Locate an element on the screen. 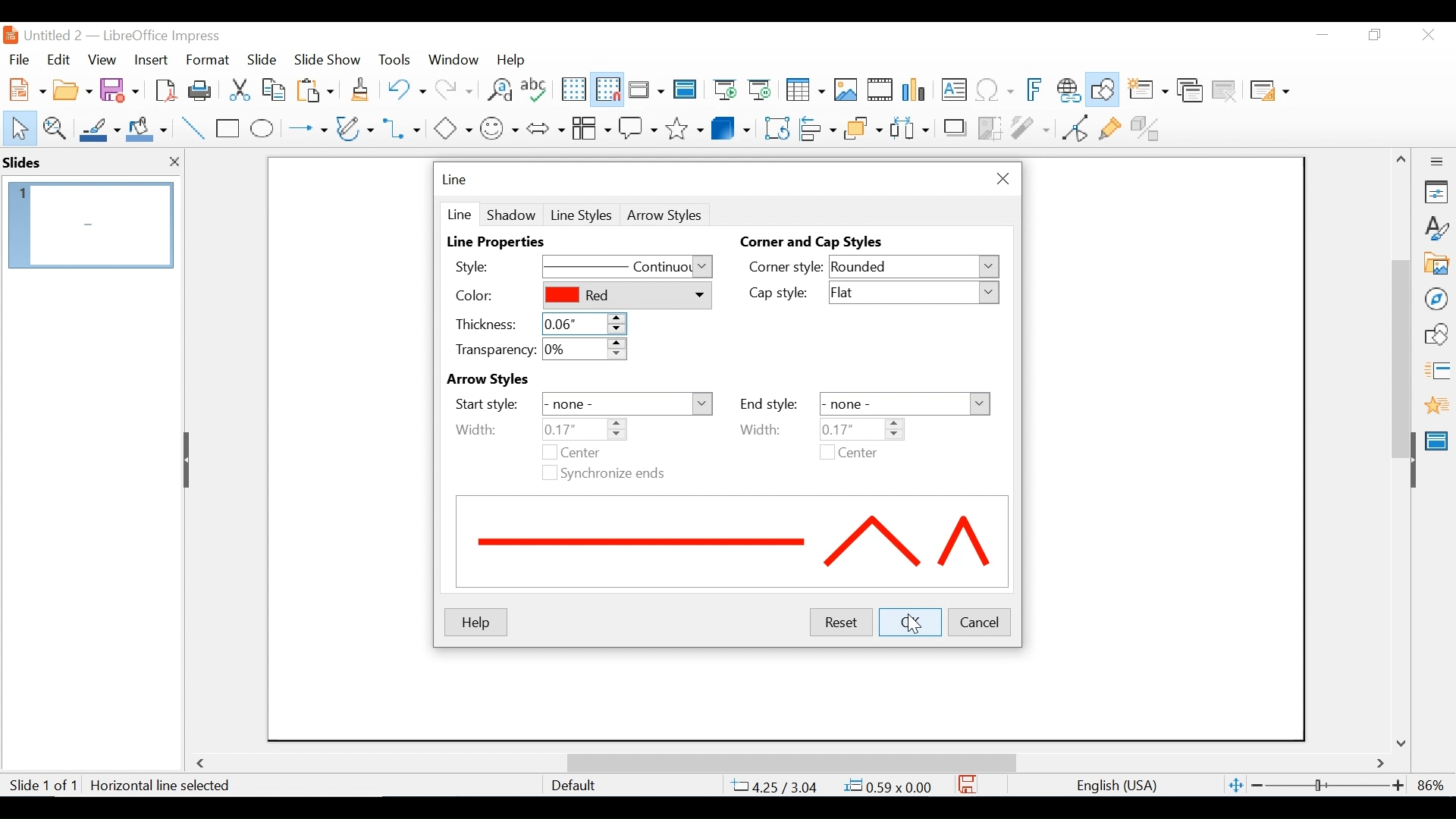 This screenshot has height=819, width=1456. LibreOffice Desktop Icon is located at coordinates (9, 35).